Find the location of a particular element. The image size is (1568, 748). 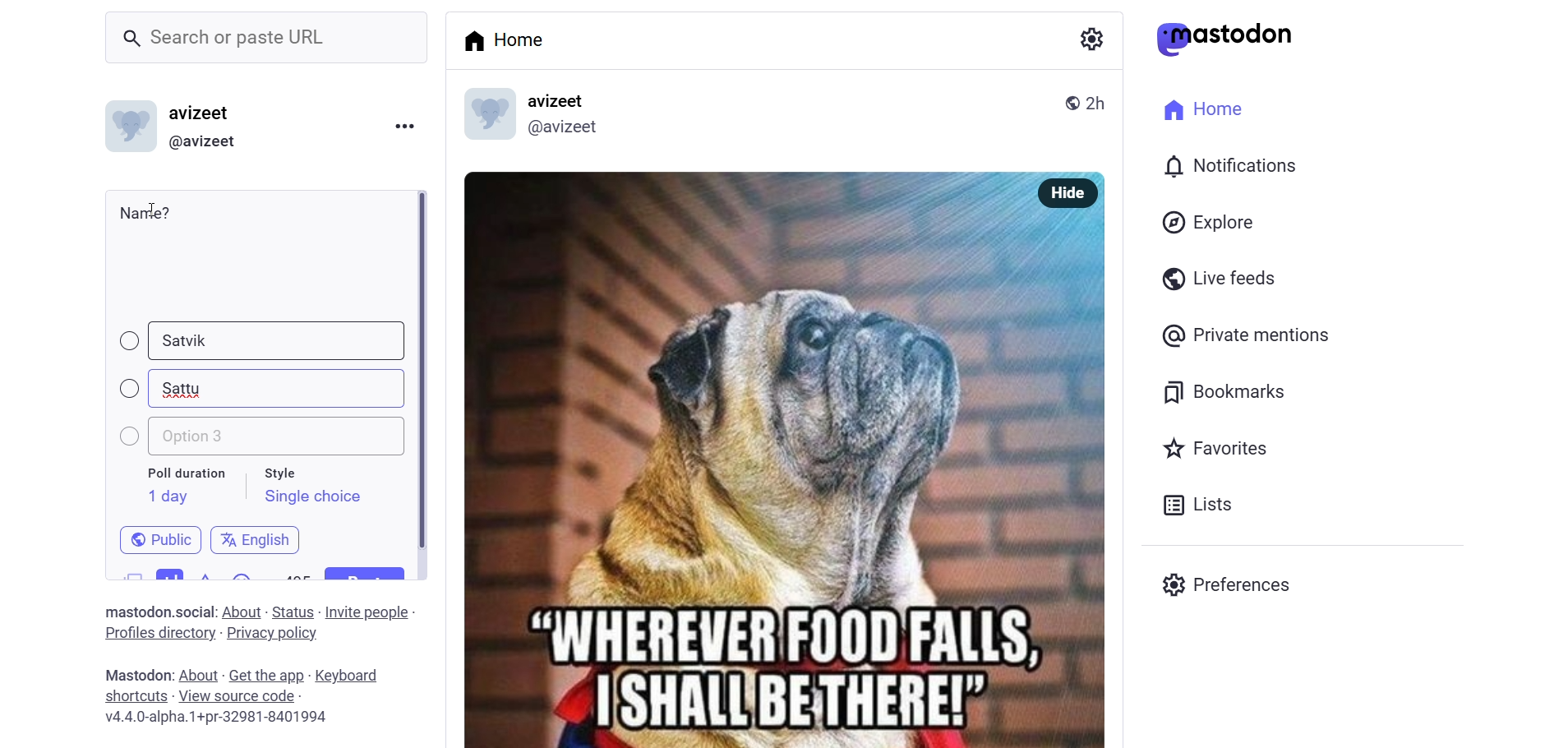

satvik is located at coordinates (194, 339).